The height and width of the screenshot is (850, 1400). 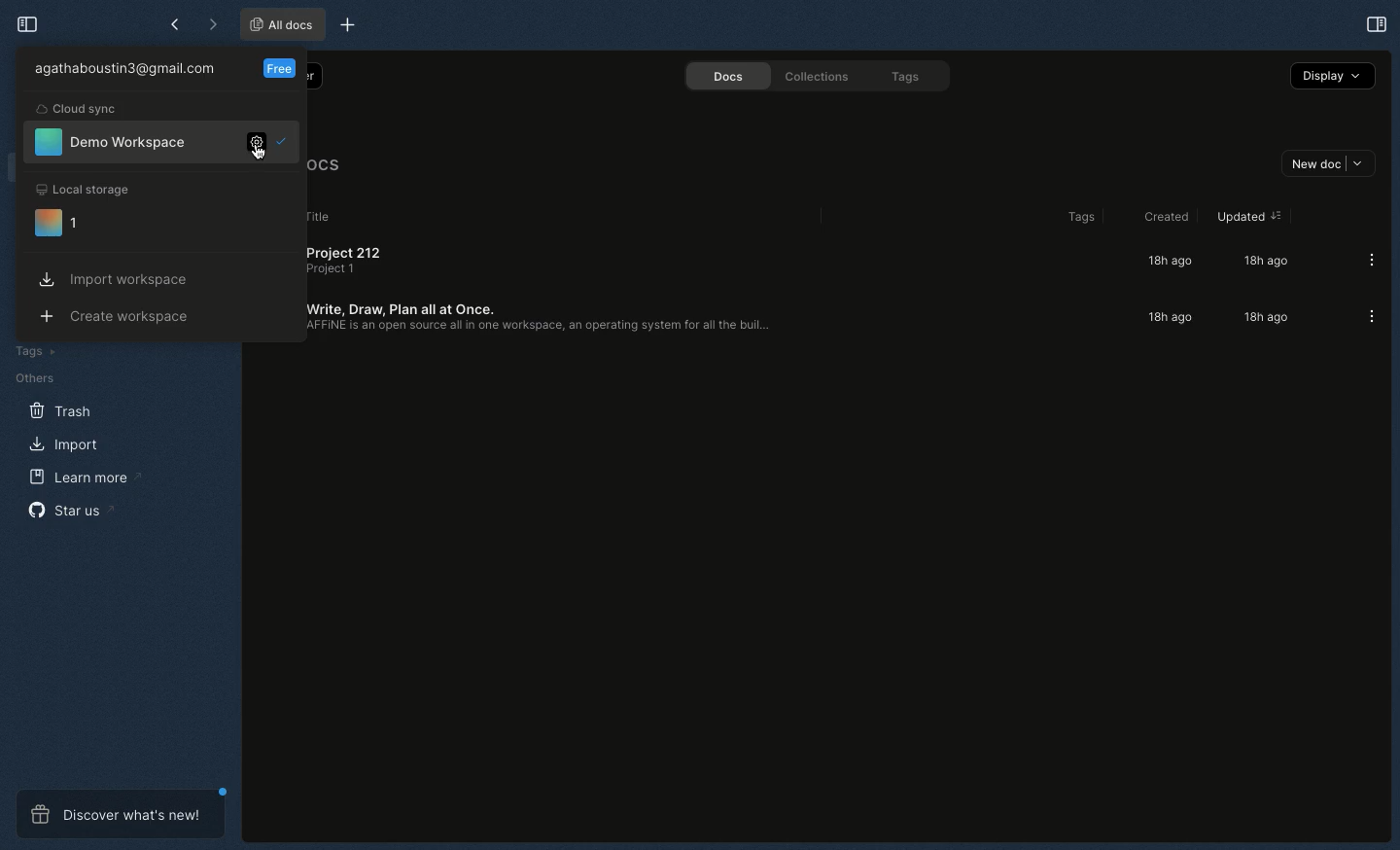 What do you see at coordinates (1074, 217) in the screenshot?
I see `Tags` at bounding box center [1074, 217].